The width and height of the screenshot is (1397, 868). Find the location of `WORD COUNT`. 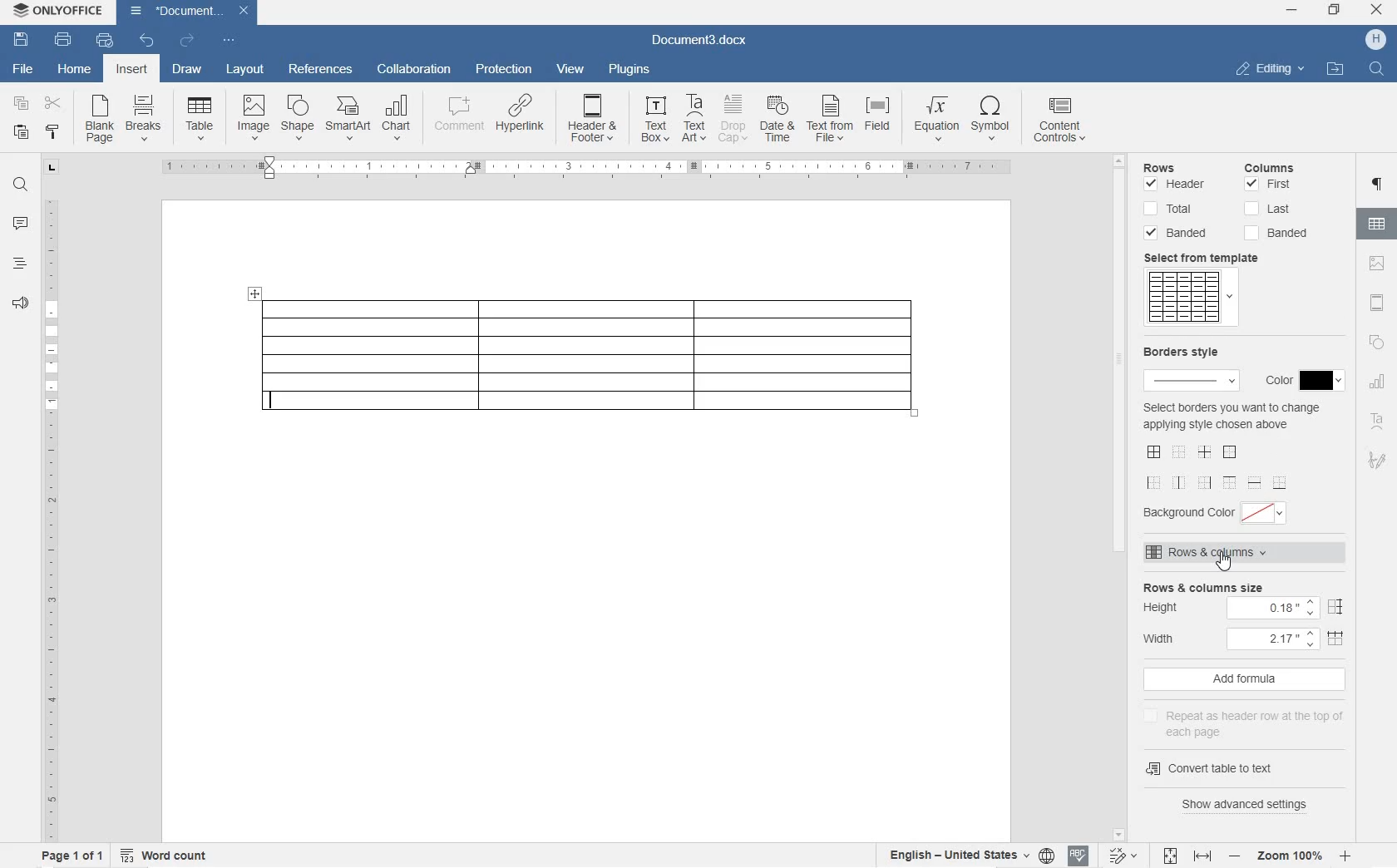

WORD COUNT is located at coordinates (164, 853).